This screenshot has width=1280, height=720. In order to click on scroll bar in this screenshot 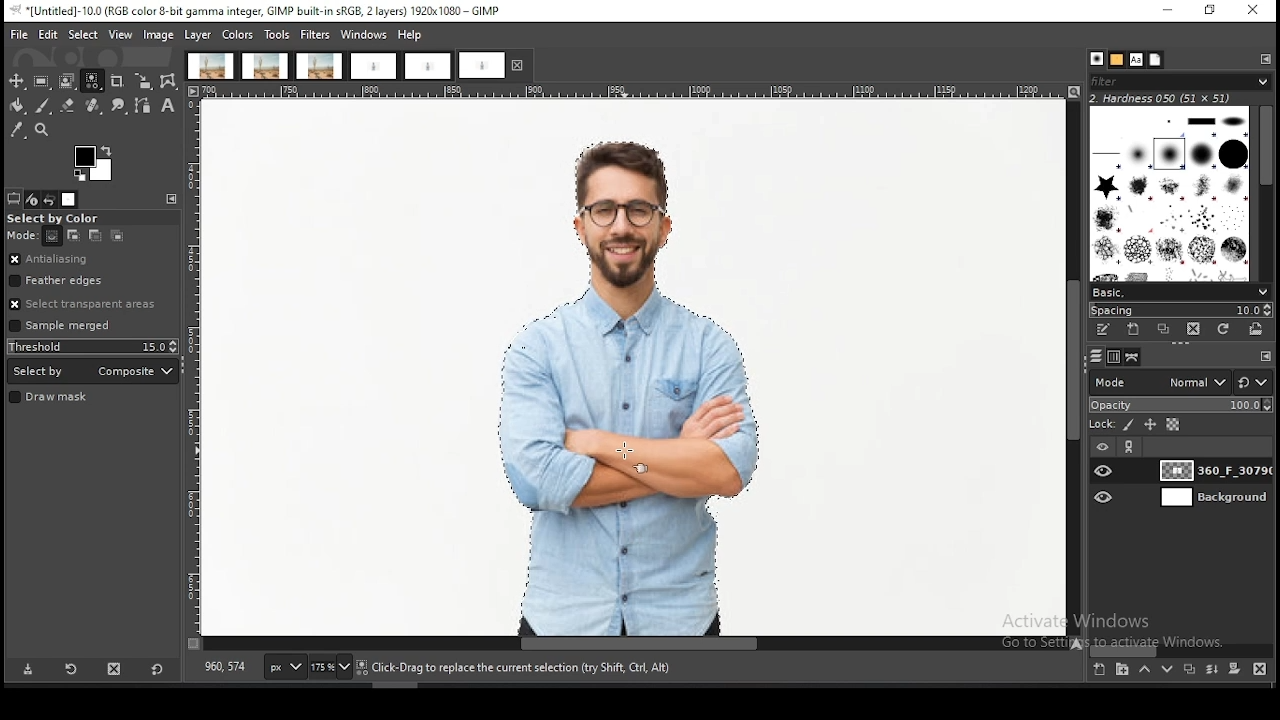, I will do `click(628, 644)`.